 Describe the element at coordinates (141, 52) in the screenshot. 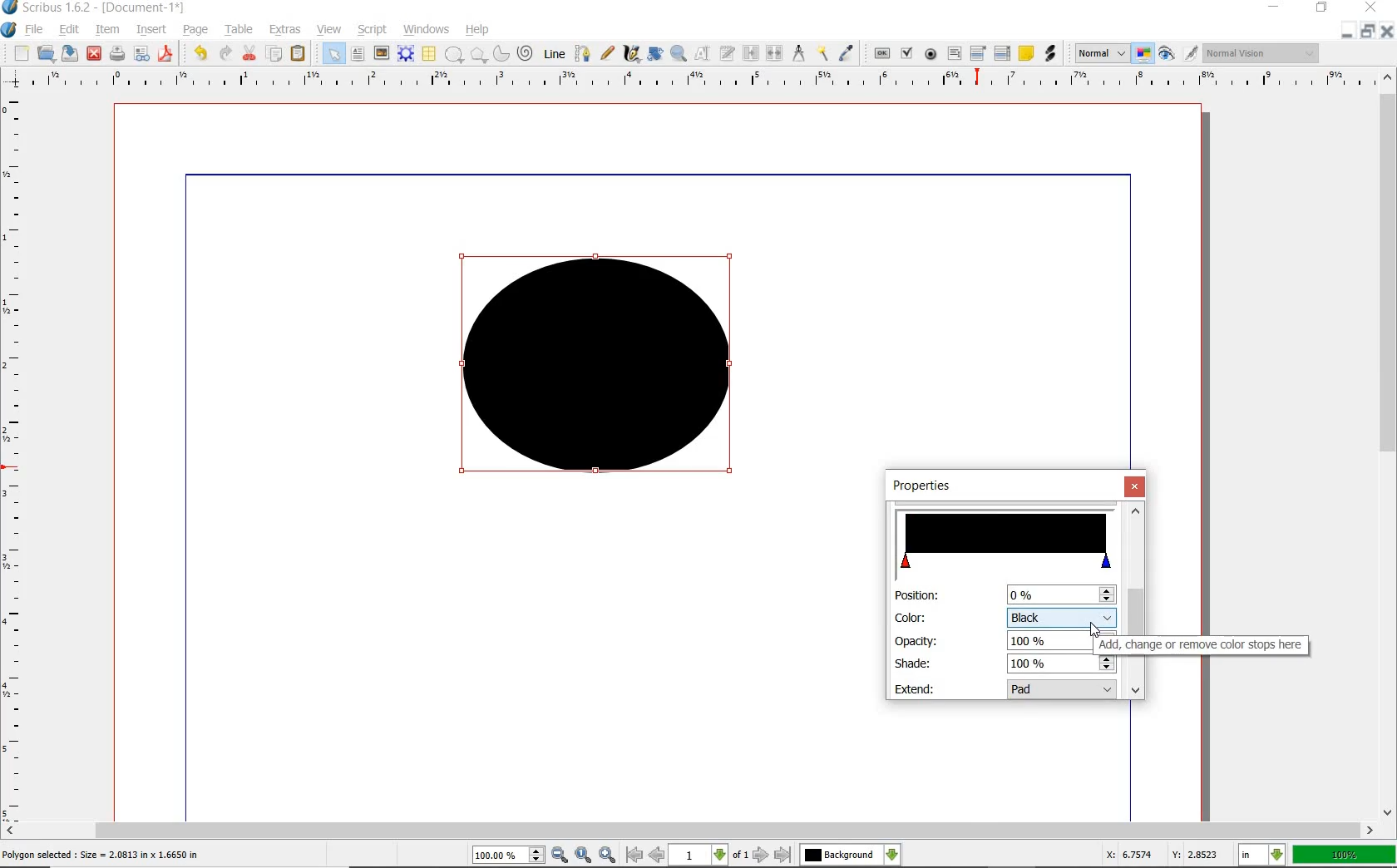

I see `PREFLIGHT VERIFIER` at that location.